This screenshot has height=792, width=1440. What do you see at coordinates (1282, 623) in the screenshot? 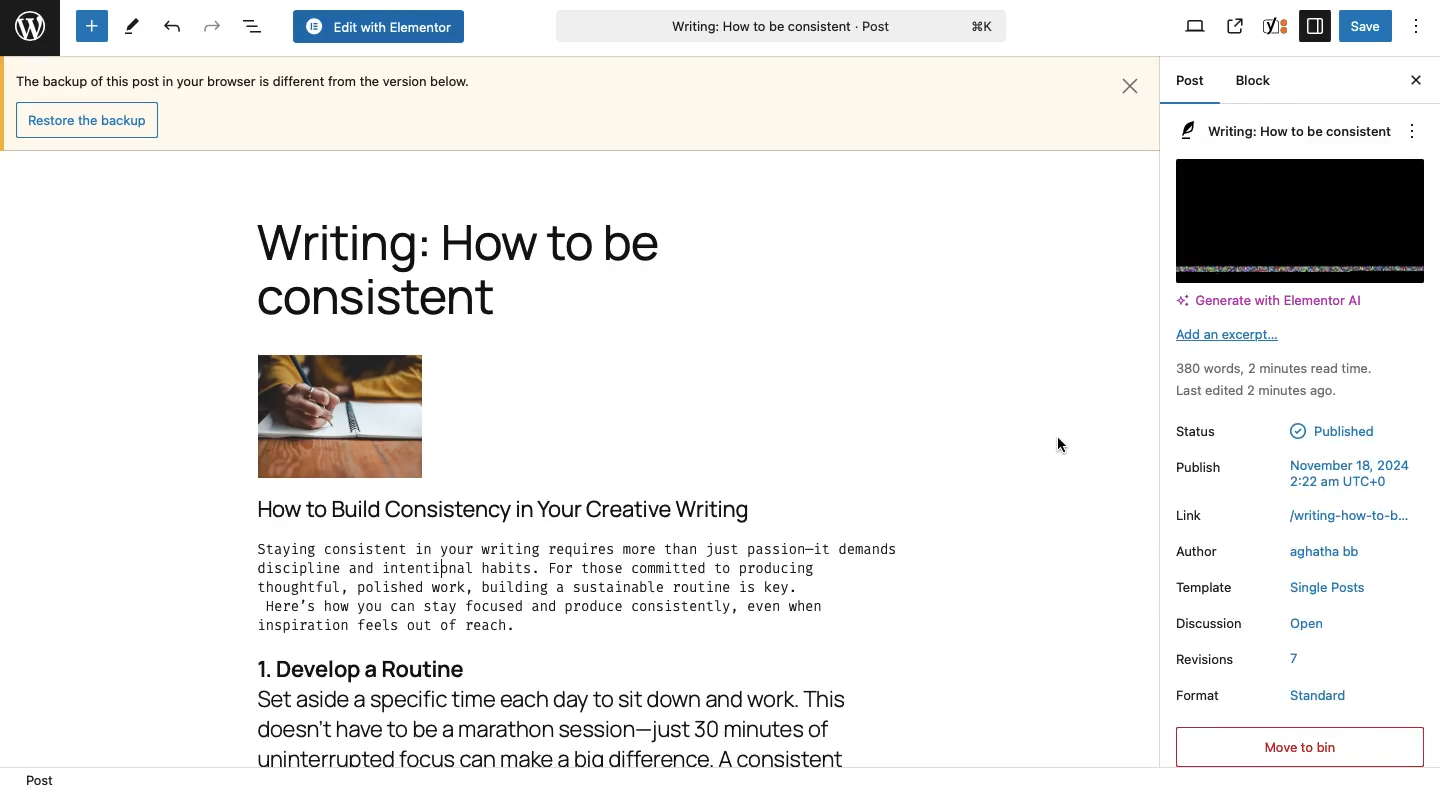
I see `Discussion Open` at bounding box center [1282, 623].